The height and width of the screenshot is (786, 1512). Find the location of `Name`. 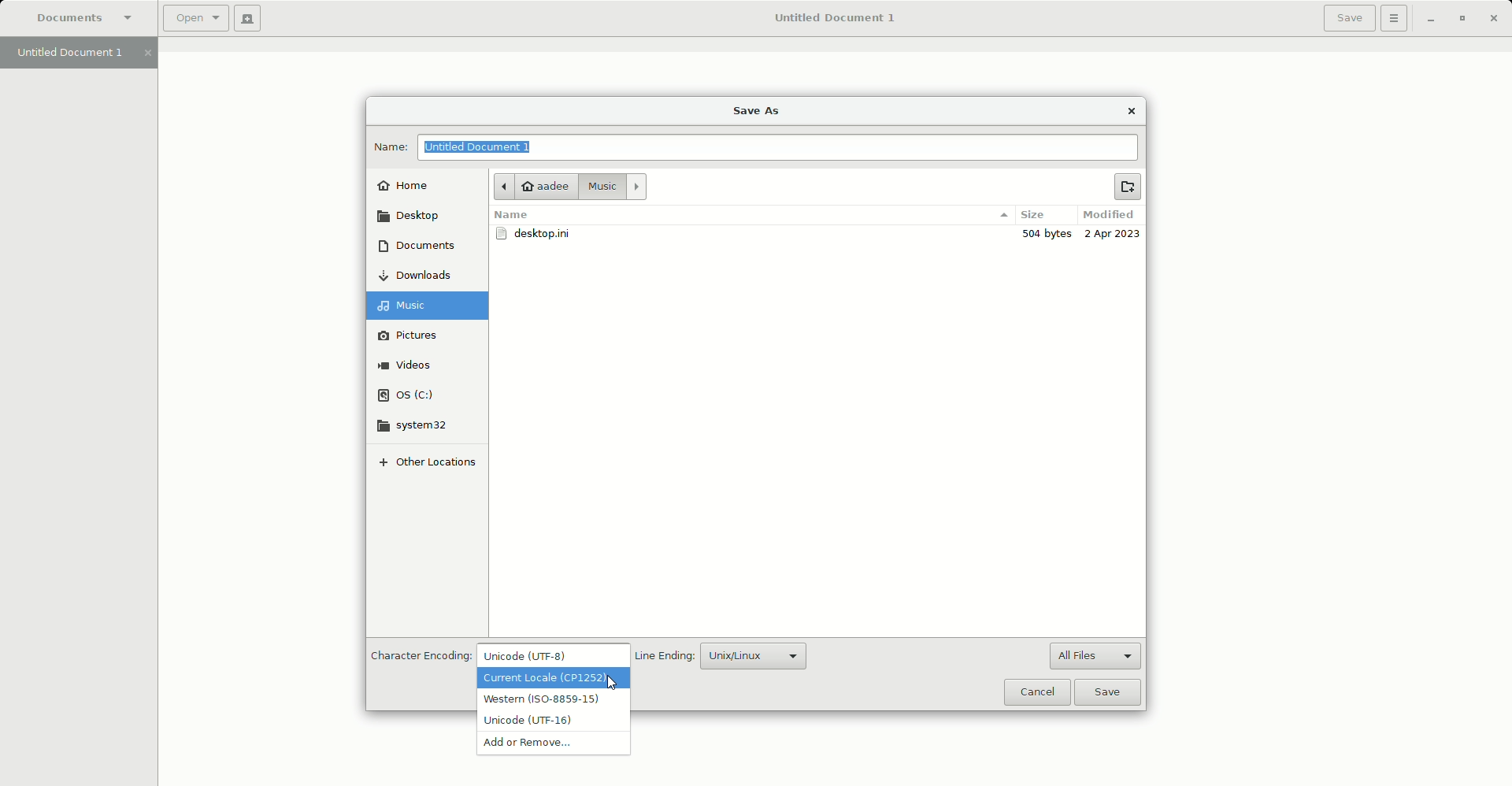

Name is located at coordinates (388, 146).